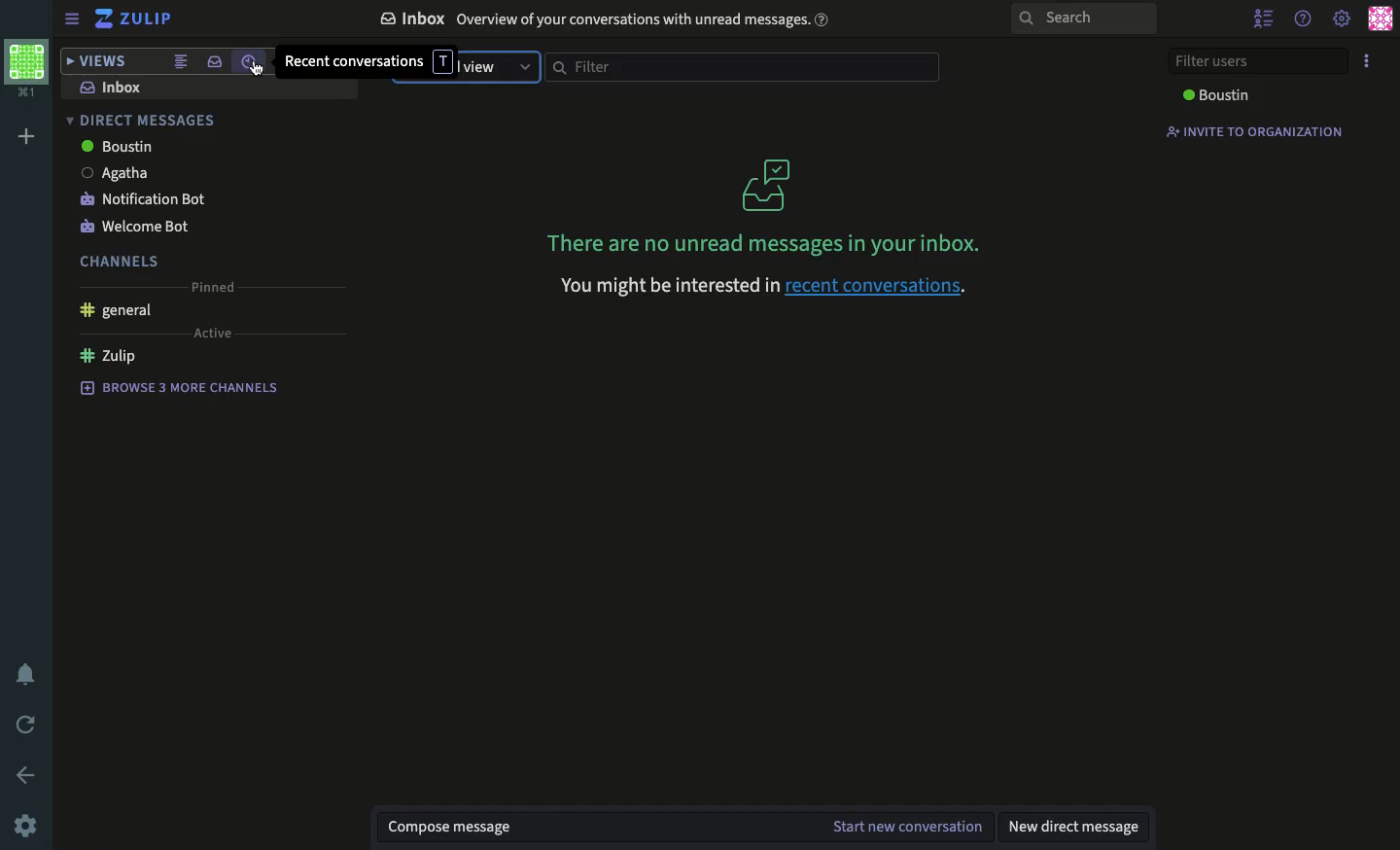  I want to click on options, so click(1368, 59).